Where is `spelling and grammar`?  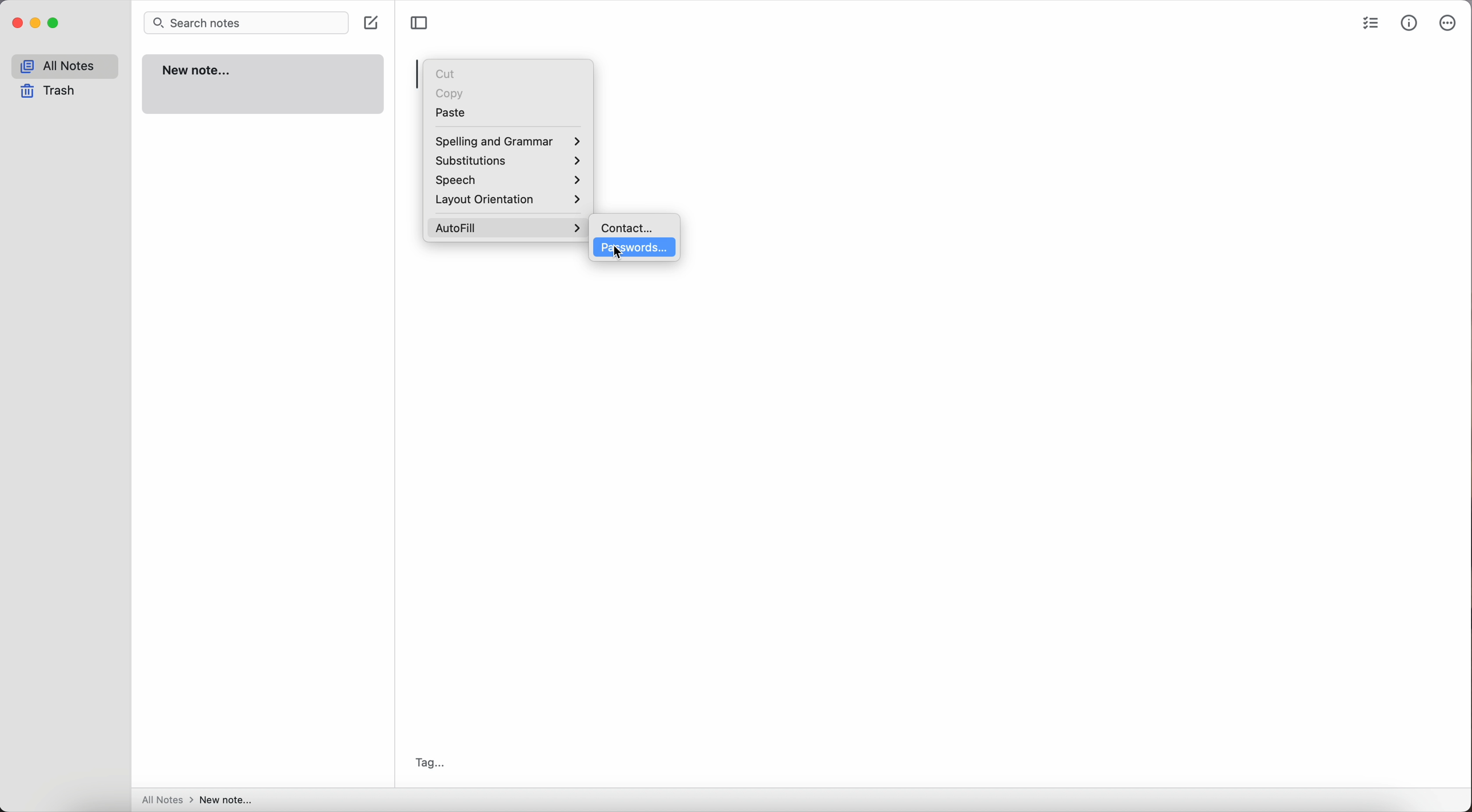
spelling and grammar is located at coordinates (506, 142).